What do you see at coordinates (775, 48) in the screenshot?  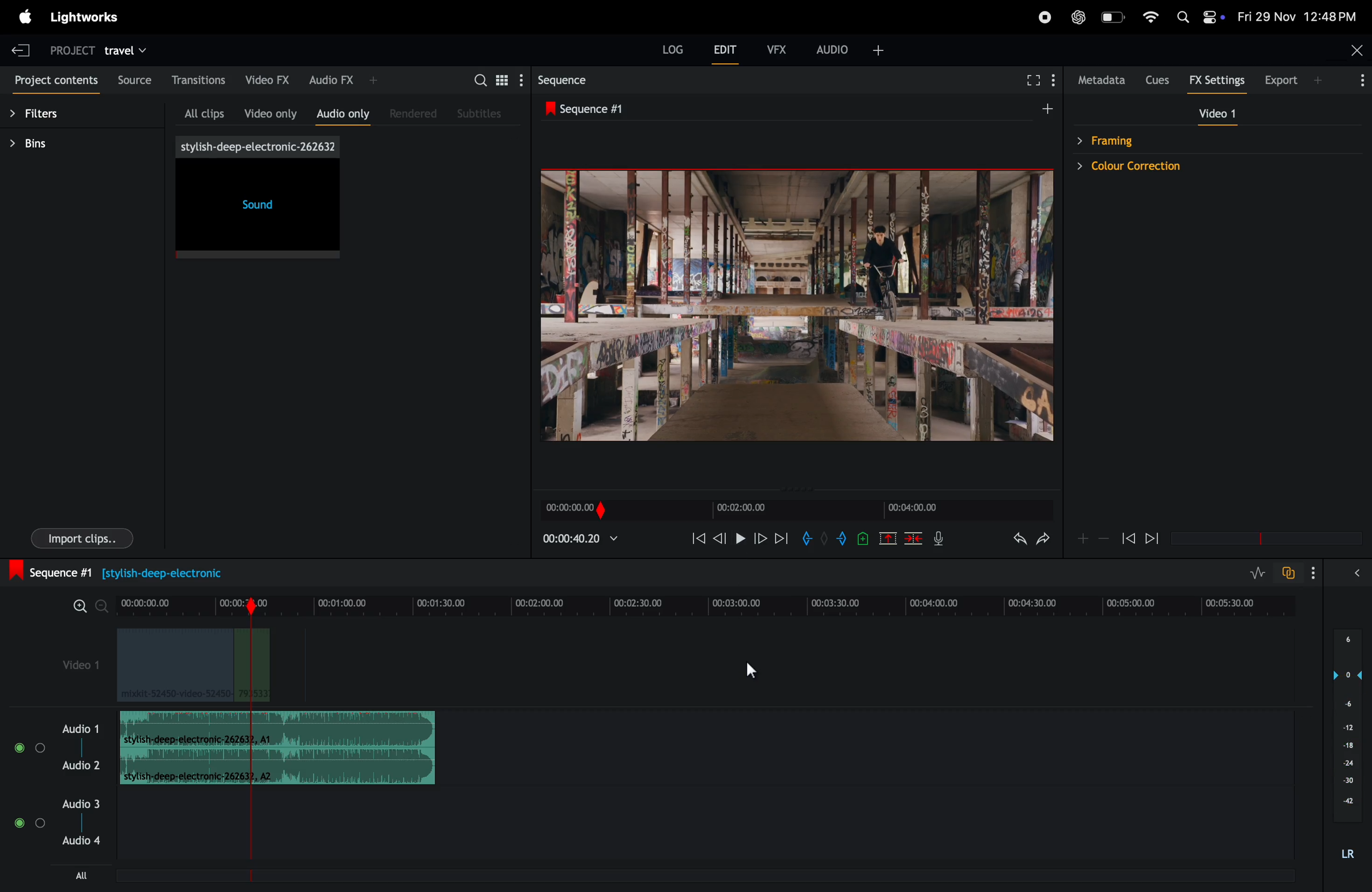 I see `vfx` at bounding box center [775, 48].